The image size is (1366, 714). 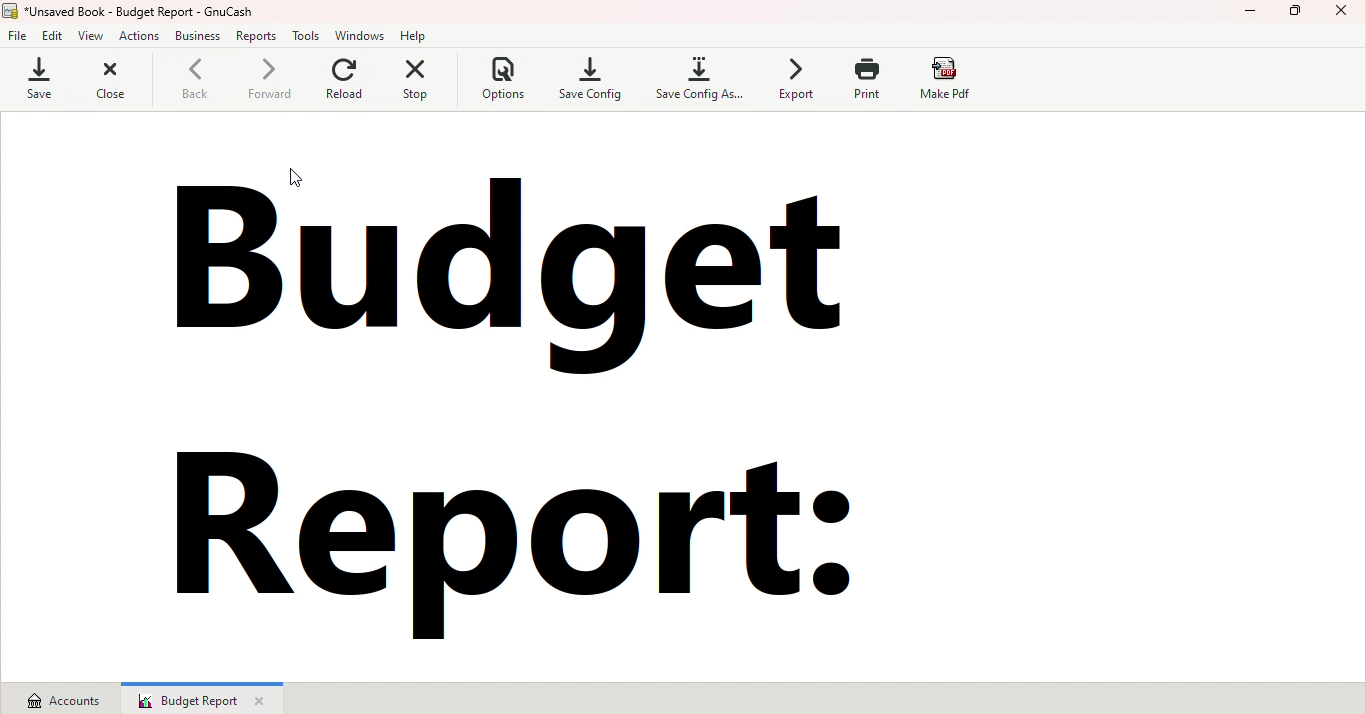 I want to click on Save config, so click(x=588, y=81).